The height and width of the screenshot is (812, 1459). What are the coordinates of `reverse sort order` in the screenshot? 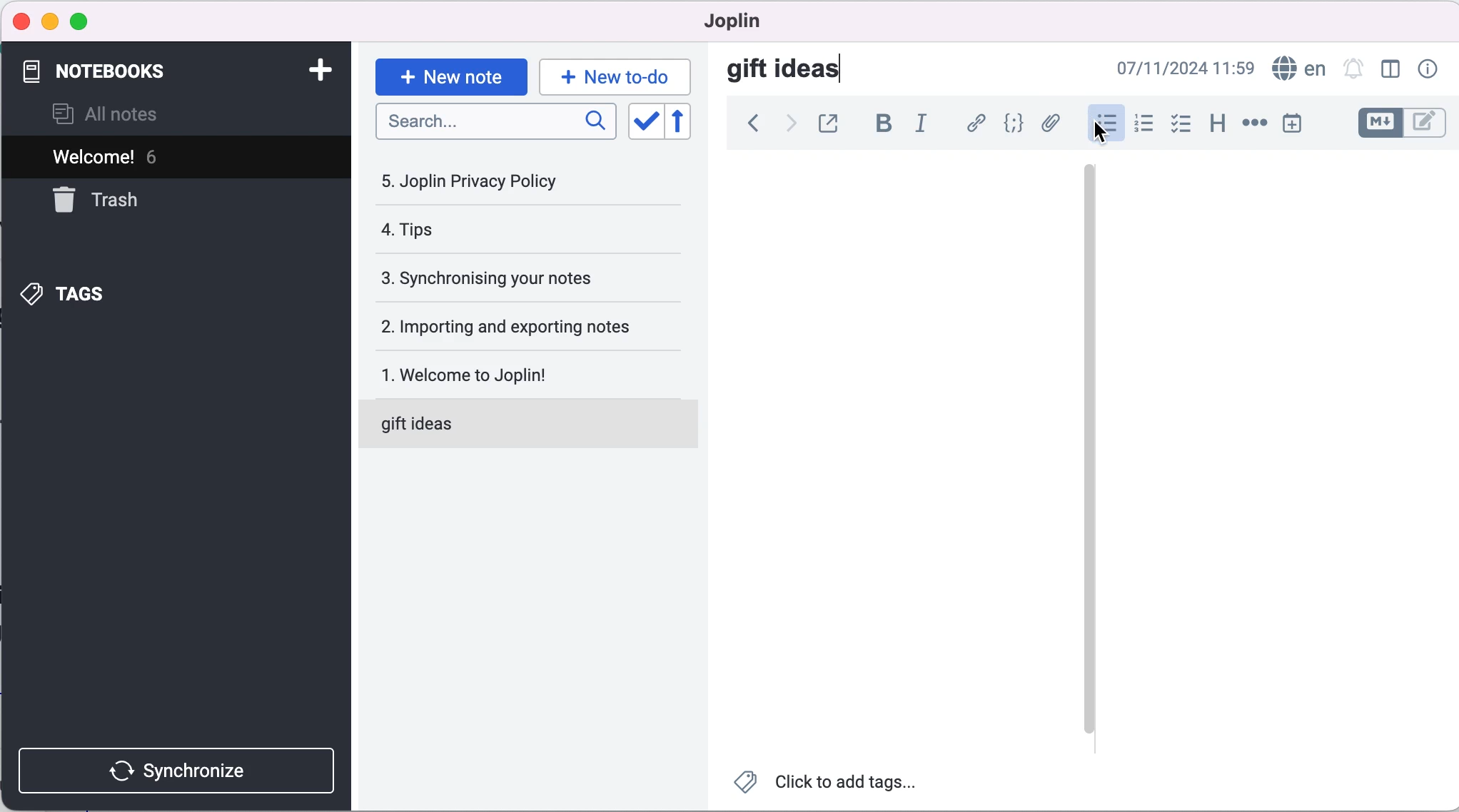 It's located at (682, 122).